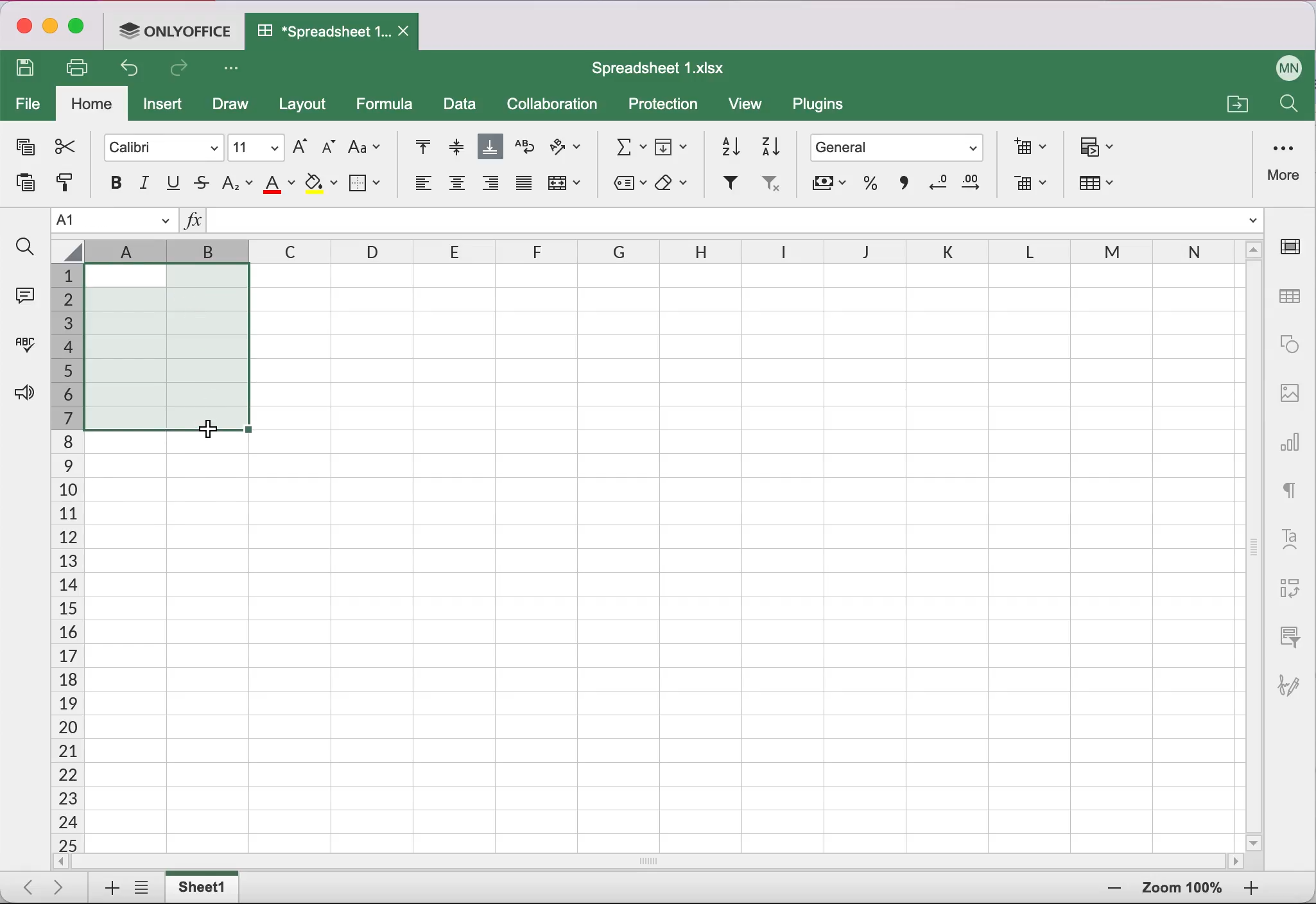  I want to click on zoom percentage, so click(1182, 890).